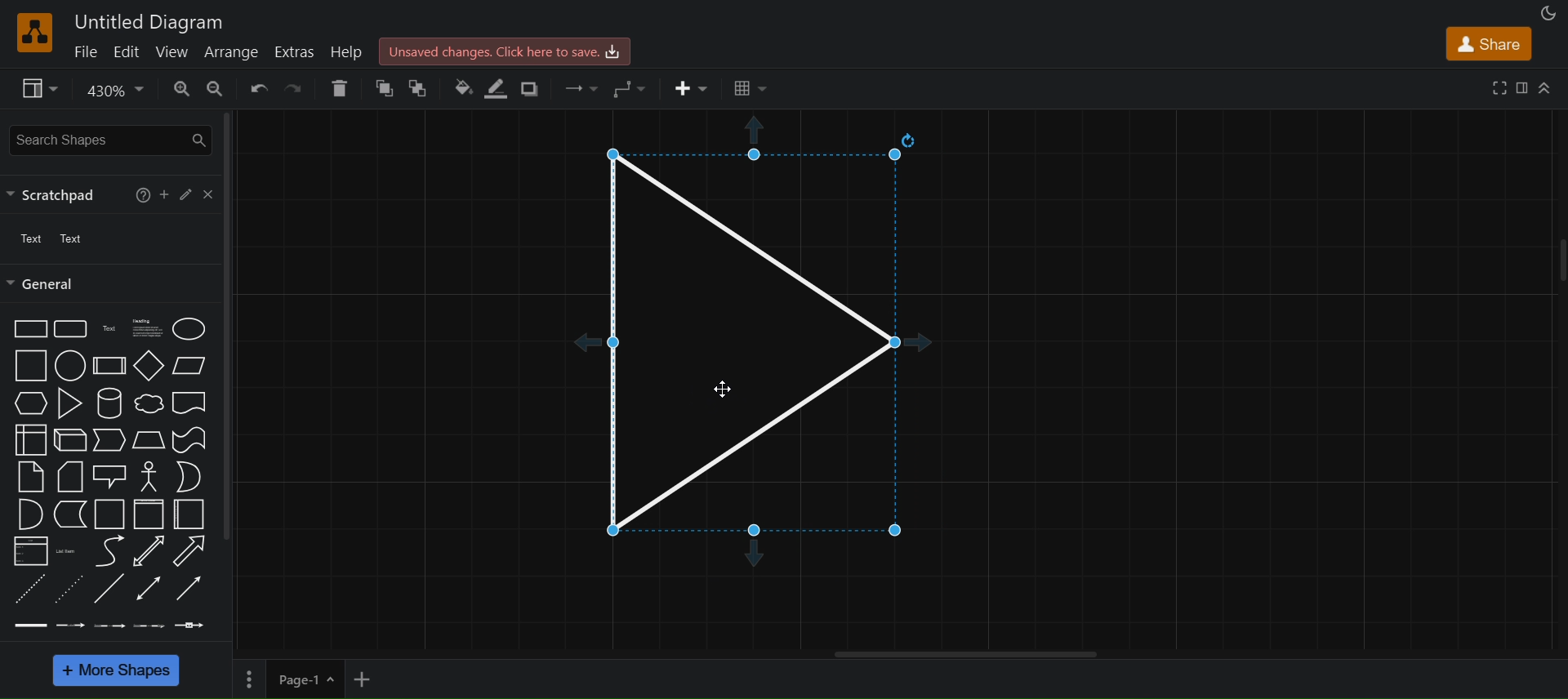  I want to click on add new page, so click(375, 678).